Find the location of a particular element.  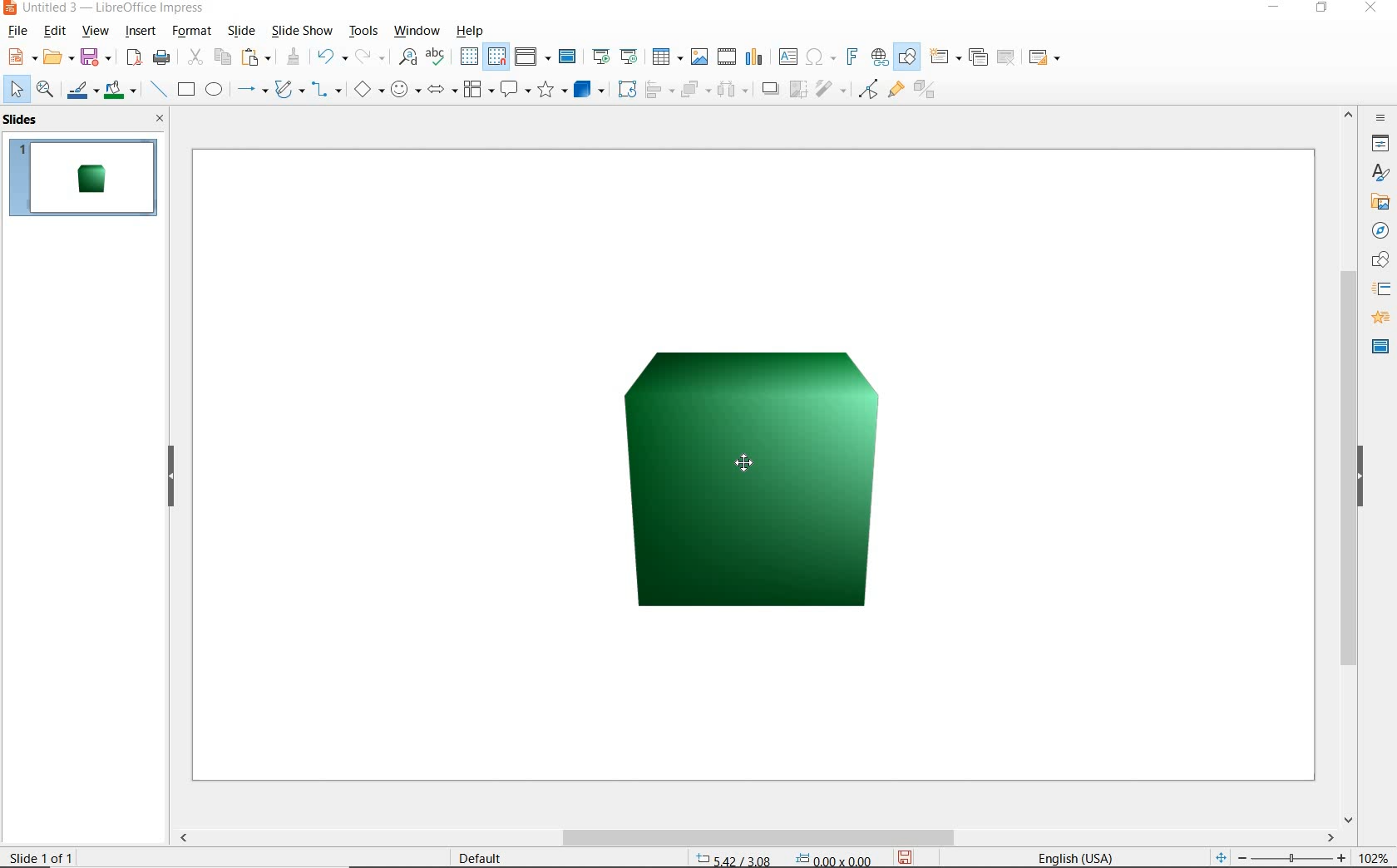

tools is located at coordinates (364, 31).